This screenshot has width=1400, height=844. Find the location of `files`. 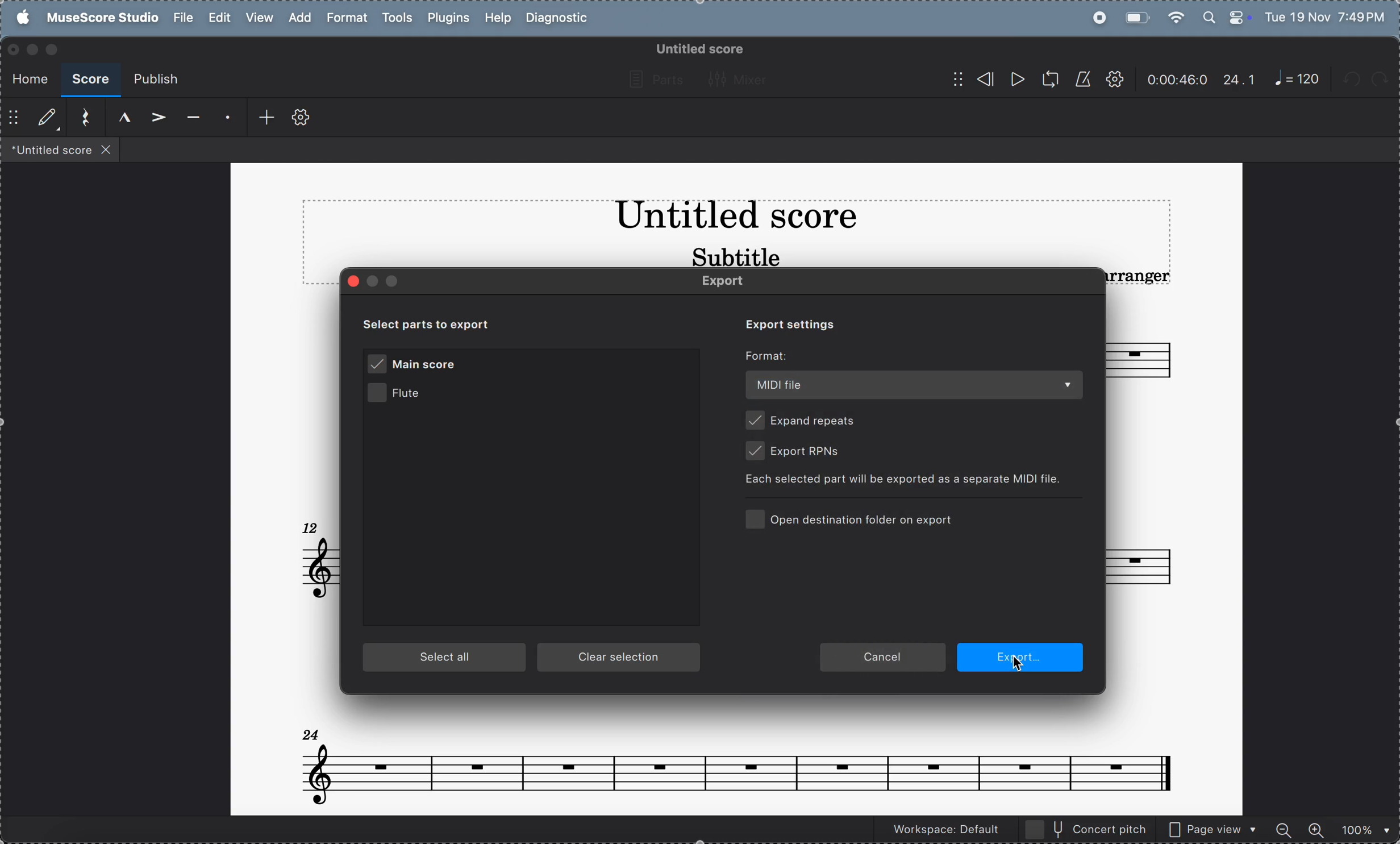

files is located at coordinates (61, 149).